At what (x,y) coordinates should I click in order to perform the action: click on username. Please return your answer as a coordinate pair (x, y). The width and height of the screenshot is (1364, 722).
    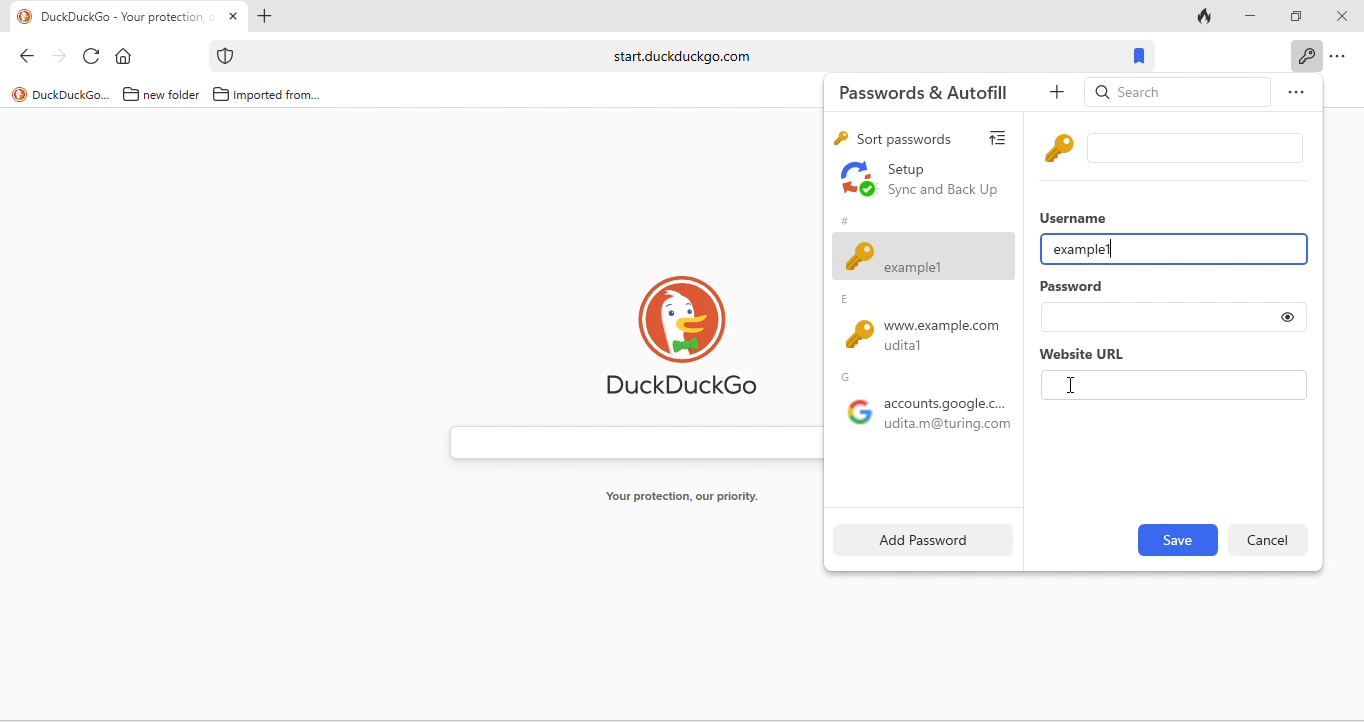
    Looking at the image, I should click on (1078, 216).